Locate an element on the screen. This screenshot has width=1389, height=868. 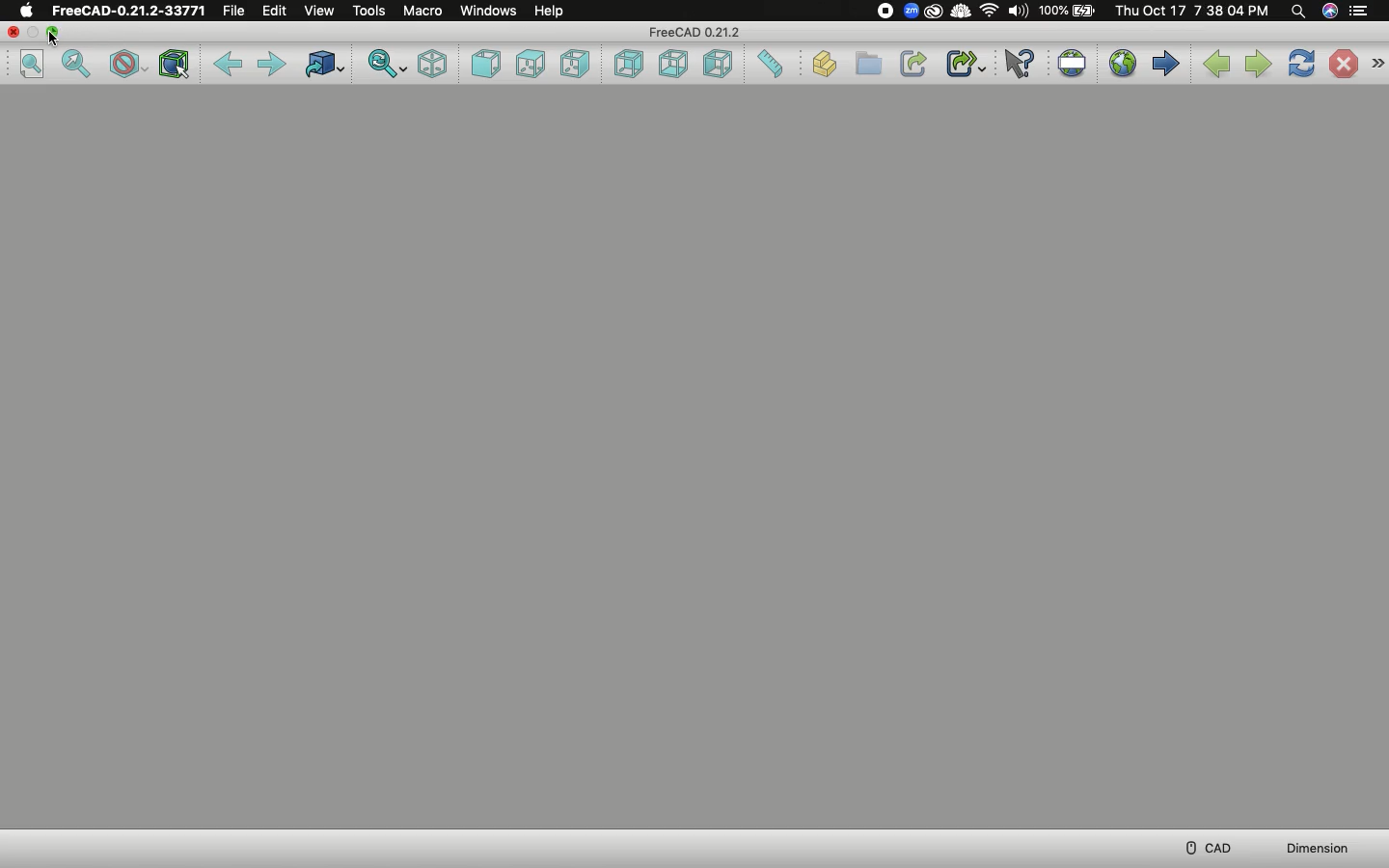
CAD menu is located at coordinates (1208, 850).